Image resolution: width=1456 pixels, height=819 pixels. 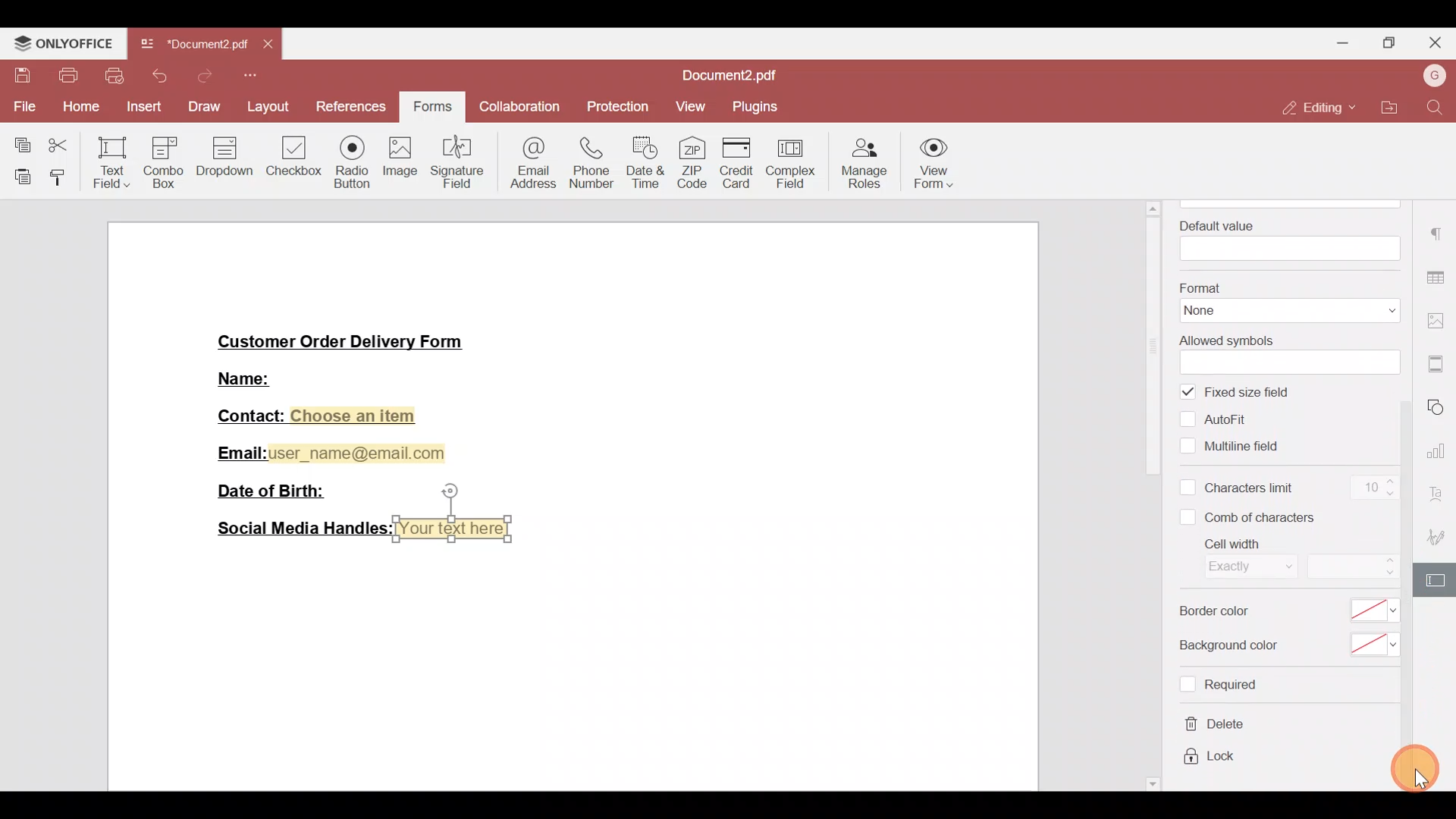 I want to click on Required, so click(x=1222, y=686).